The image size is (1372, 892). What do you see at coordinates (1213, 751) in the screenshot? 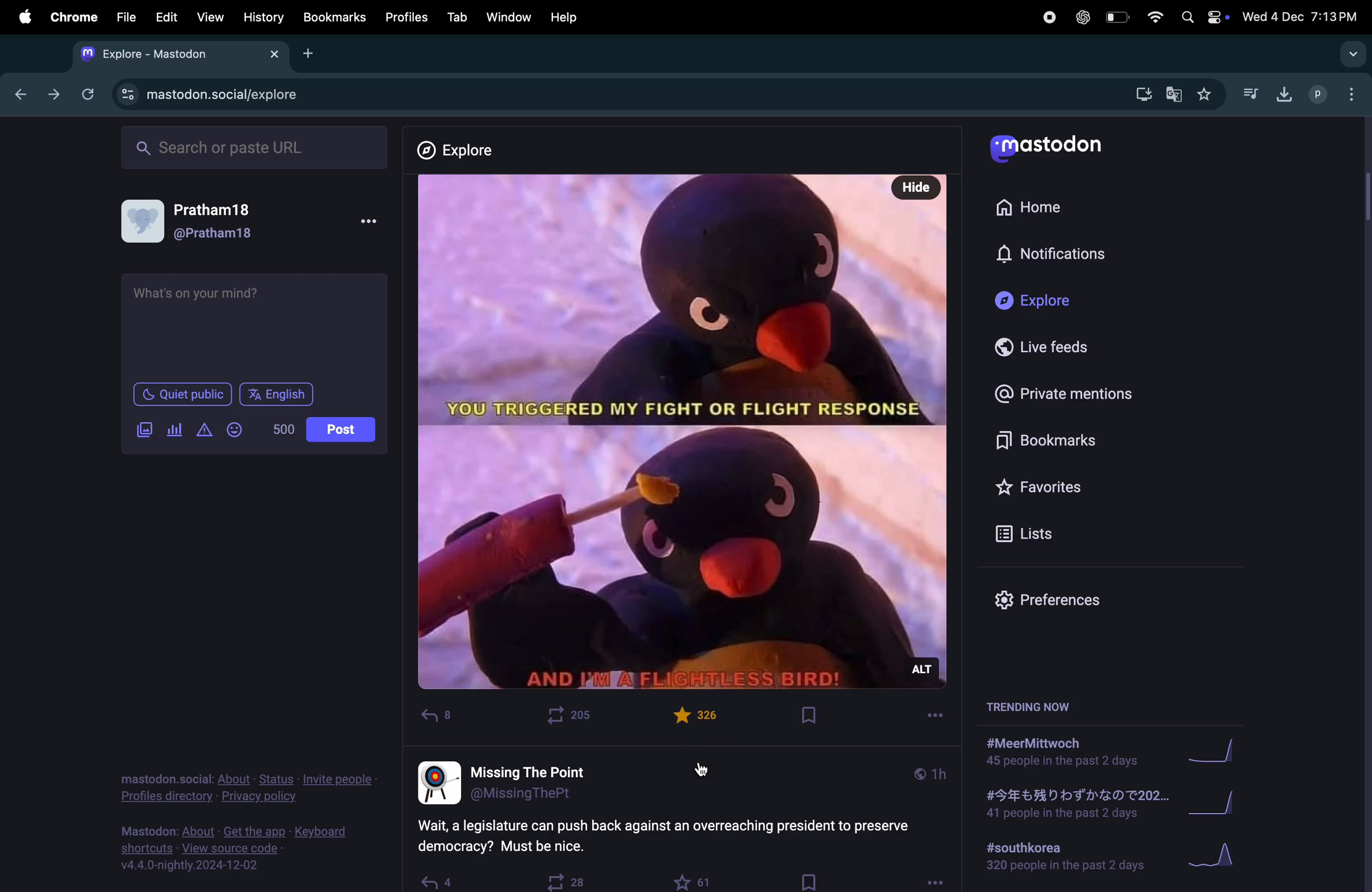
I see `graph` at bounding box center [1213, 751].